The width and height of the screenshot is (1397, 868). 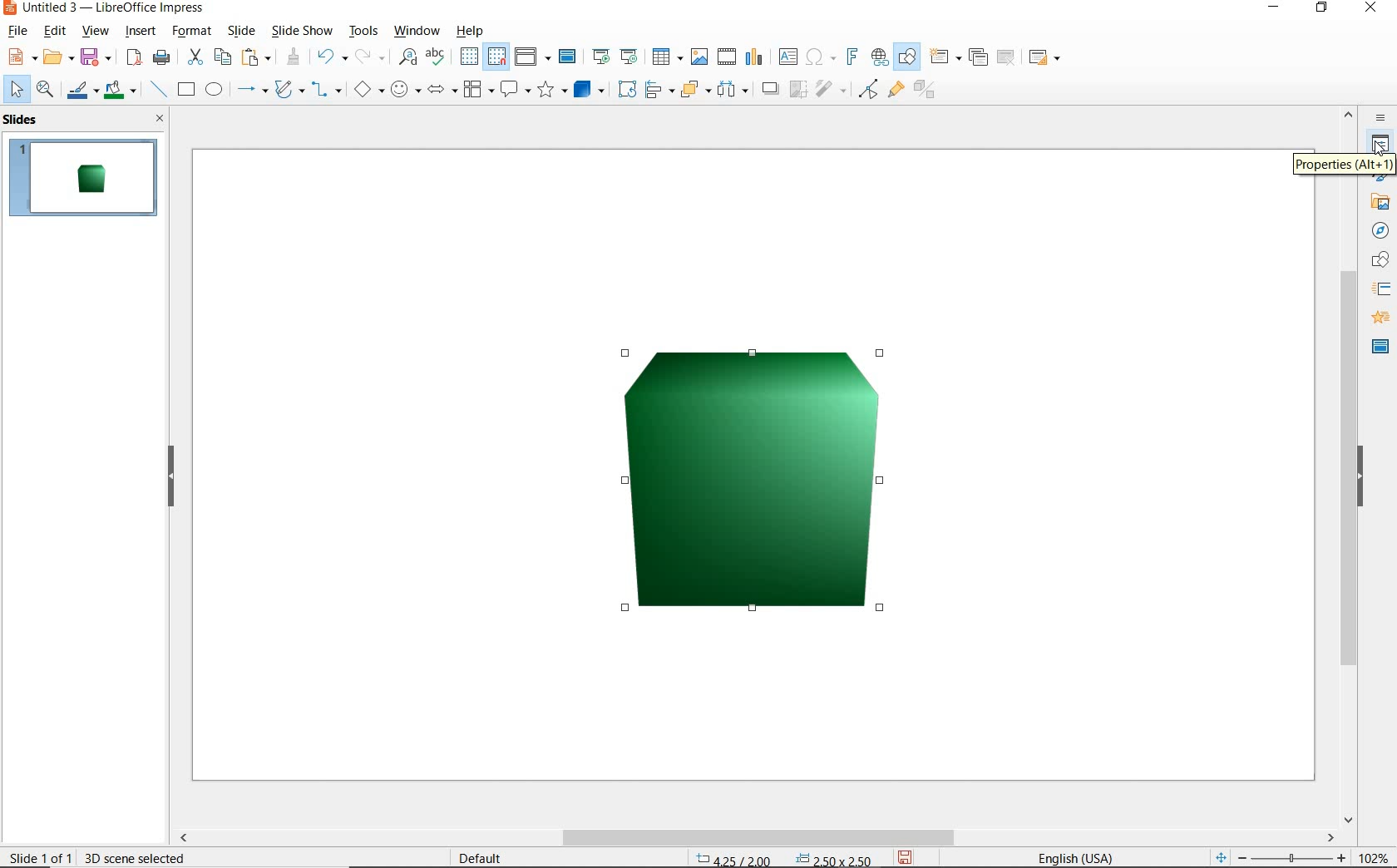 What do you see at coordinates (468, 57) in the screenshot?
I see `display grid` at bounding box center [468, 57].